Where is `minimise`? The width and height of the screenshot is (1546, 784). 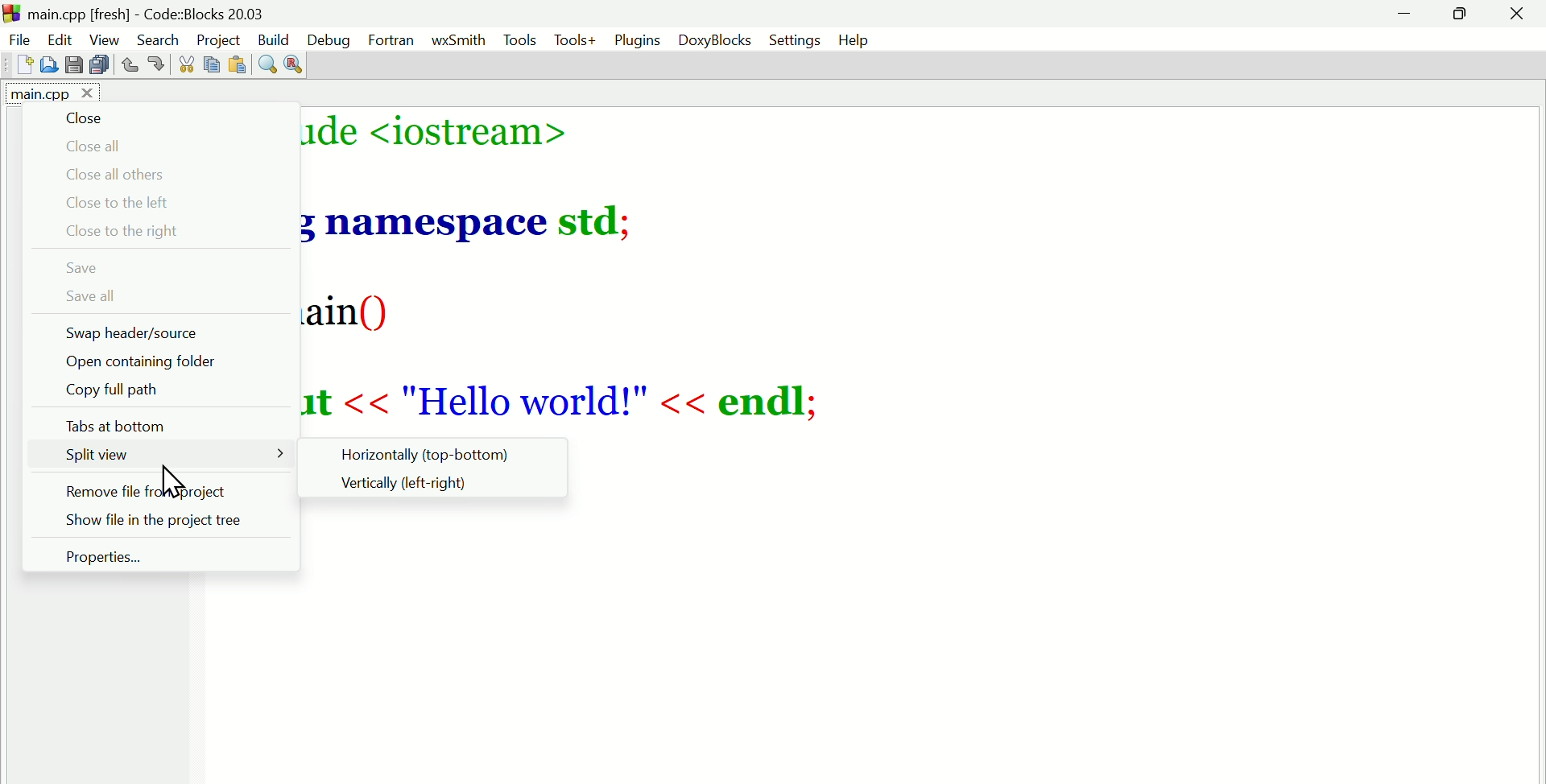
minimise is located at coordinates (1408, 16).